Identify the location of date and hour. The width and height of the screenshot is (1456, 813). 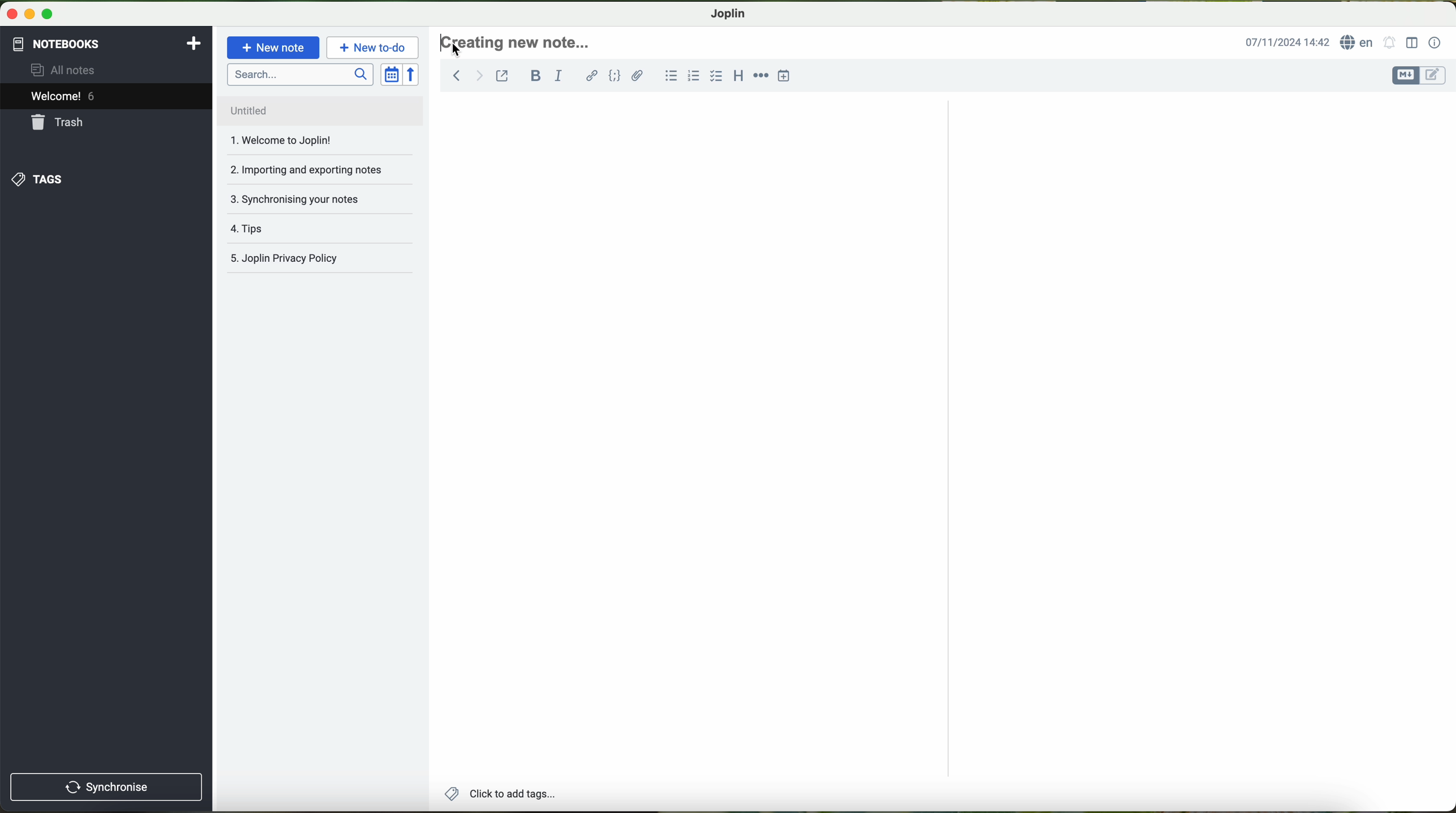
(1286, 41).